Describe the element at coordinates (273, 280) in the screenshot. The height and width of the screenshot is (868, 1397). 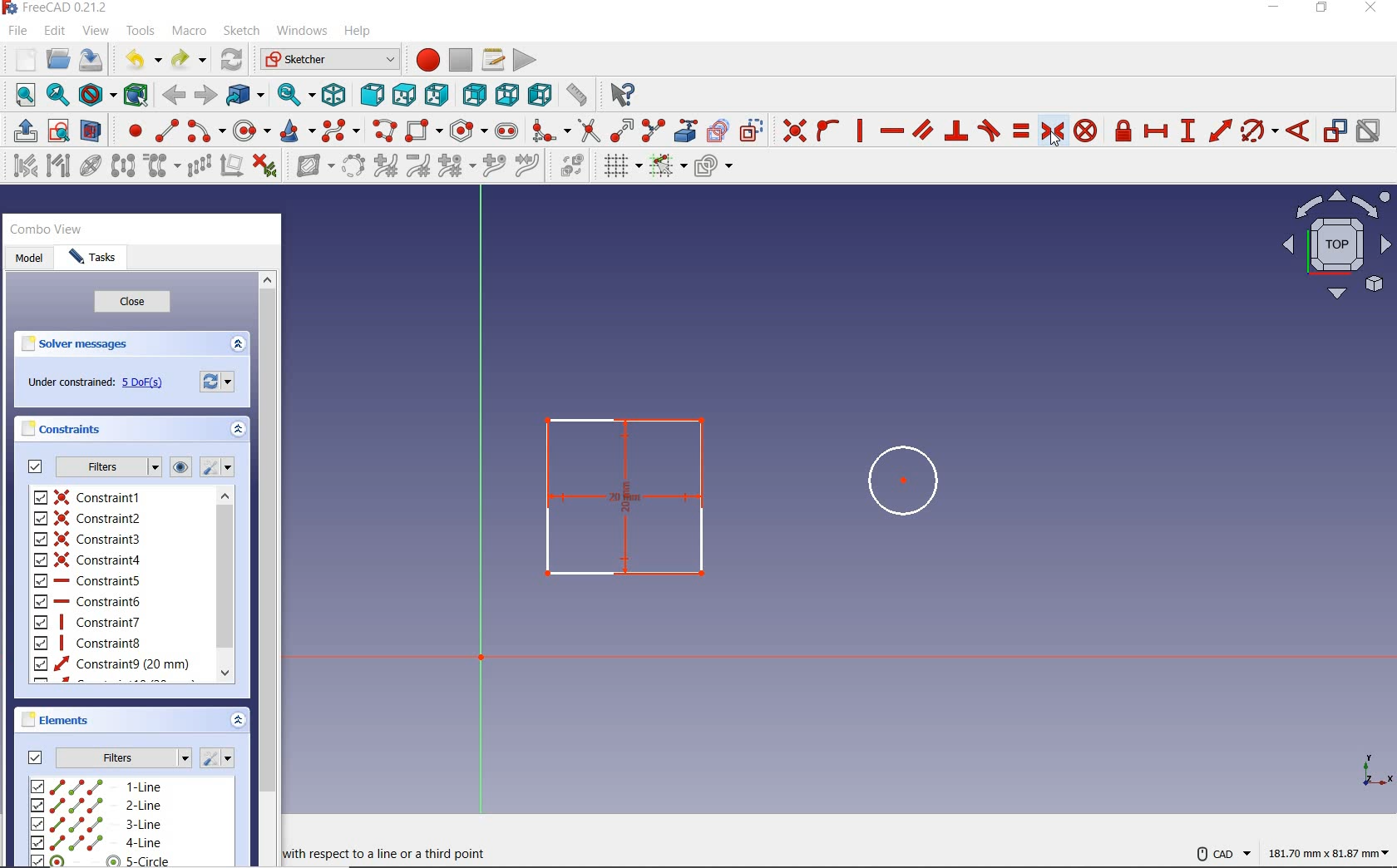
I see `Scroll up` at that location.